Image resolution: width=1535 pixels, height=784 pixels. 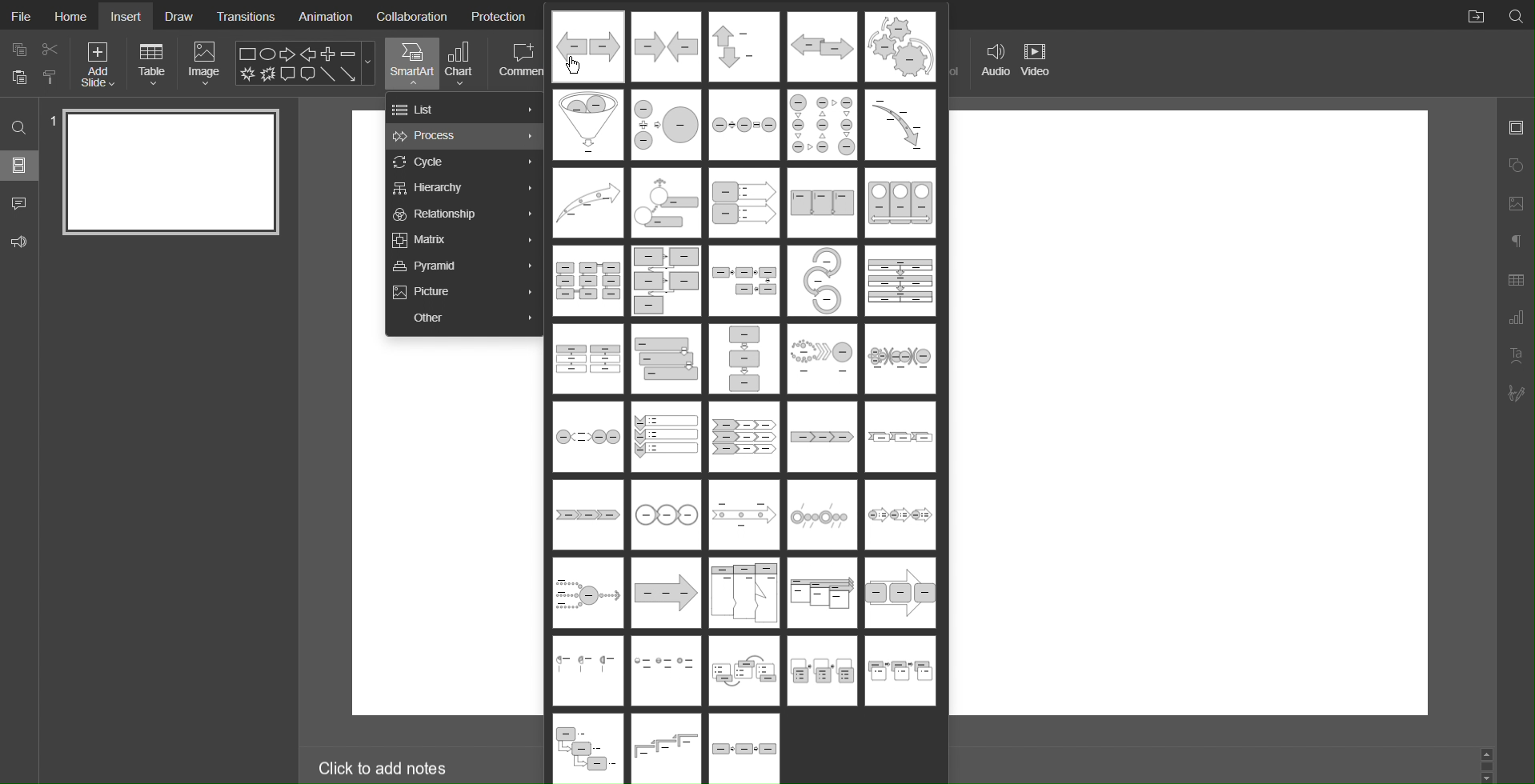 What do you see at coordinates (746, 123) in the screenshot?
I see `Process Template 8` at bounding box center [746, 123].